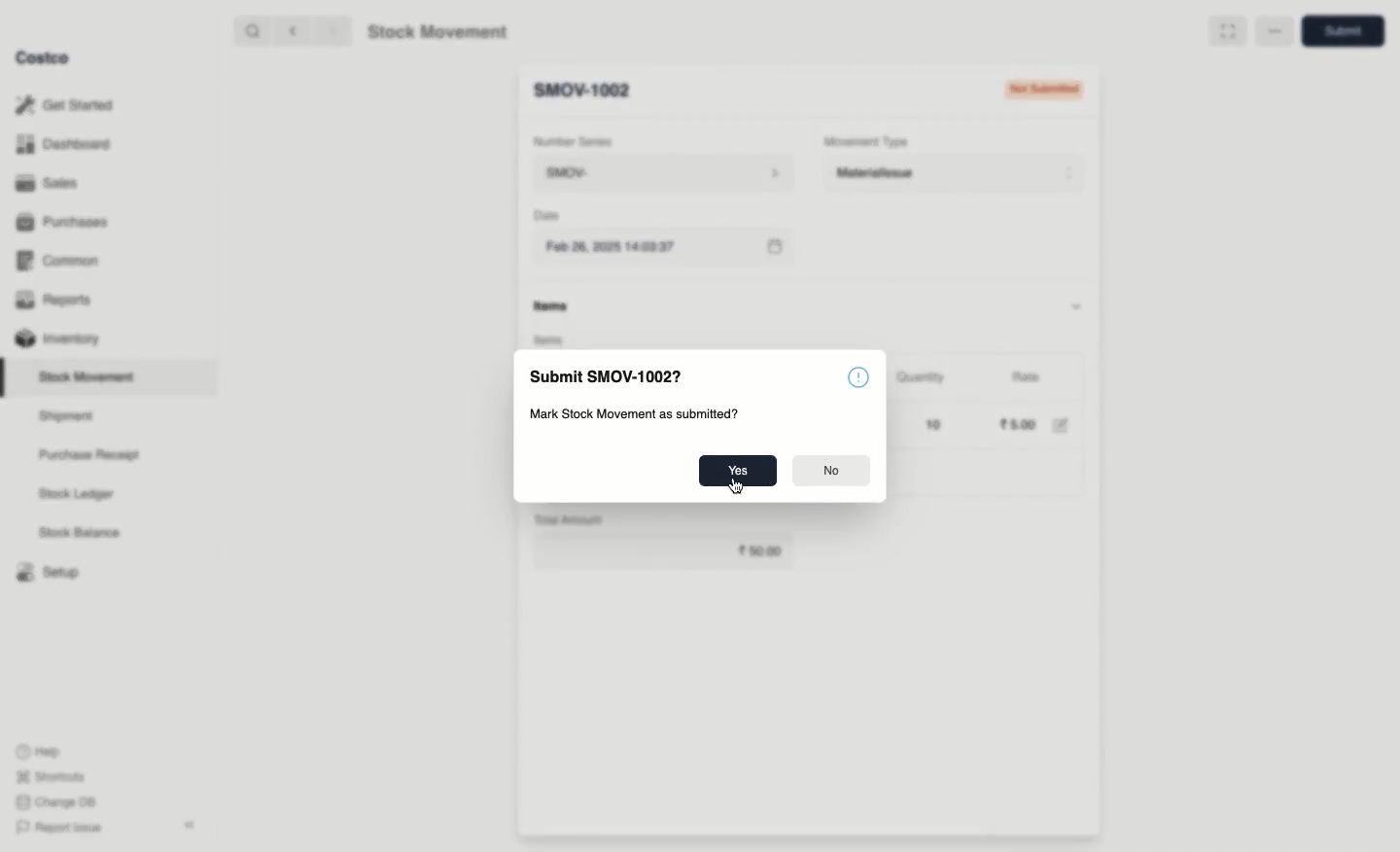 Image resolution: width=1400 pixels, height=852 pixels. Describe the element at coordinates (67, 417) in the screenshot. I see `Shipment` at that location.